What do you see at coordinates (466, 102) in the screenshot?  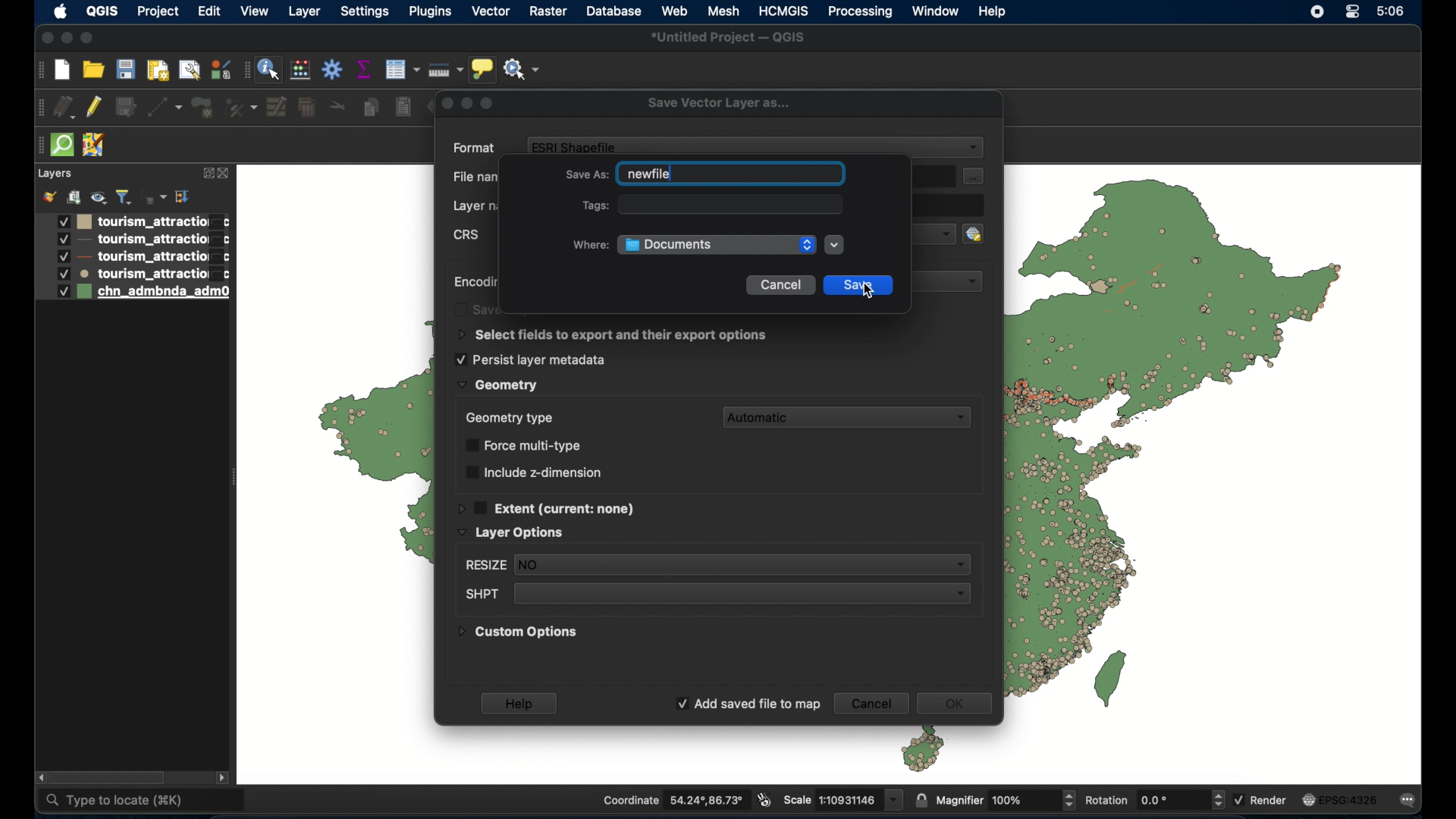 I see `inactive buttons` at bounding box center [466, 102].